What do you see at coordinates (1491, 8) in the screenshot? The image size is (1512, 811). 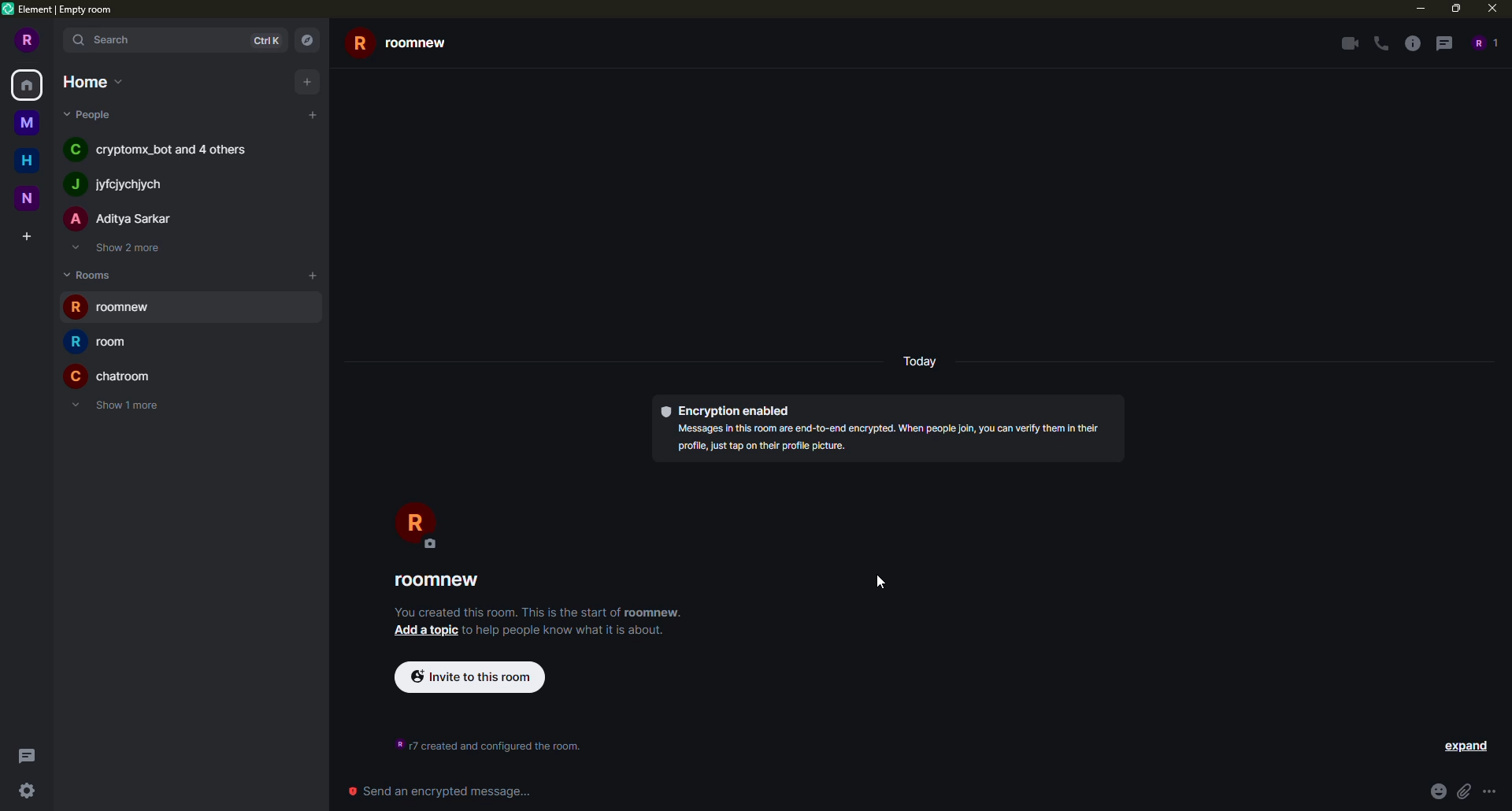 I see `close` at bounding box center [1491, 8].